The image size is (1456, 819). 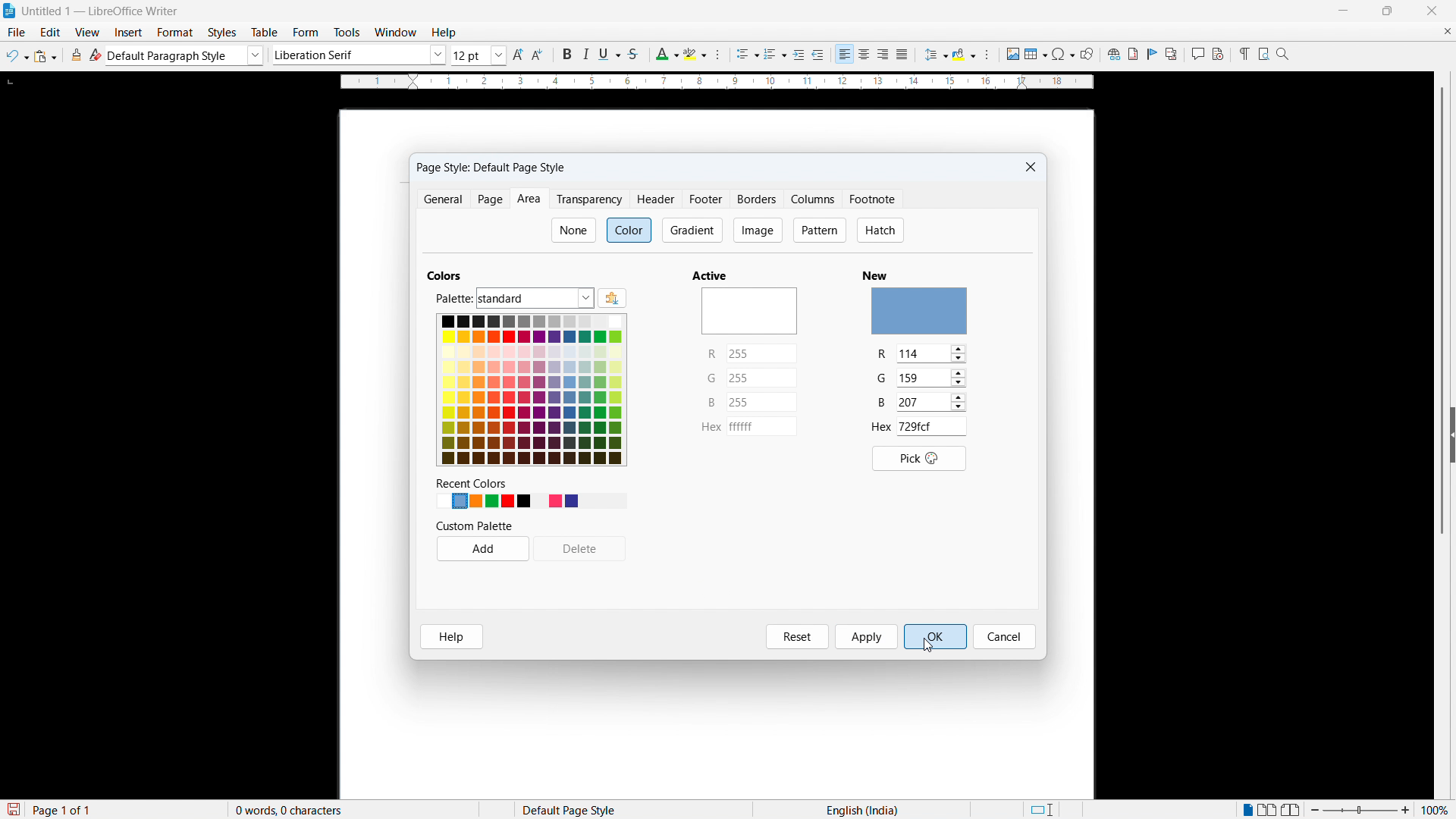 I want to click on G, so click(x=882, y=378).